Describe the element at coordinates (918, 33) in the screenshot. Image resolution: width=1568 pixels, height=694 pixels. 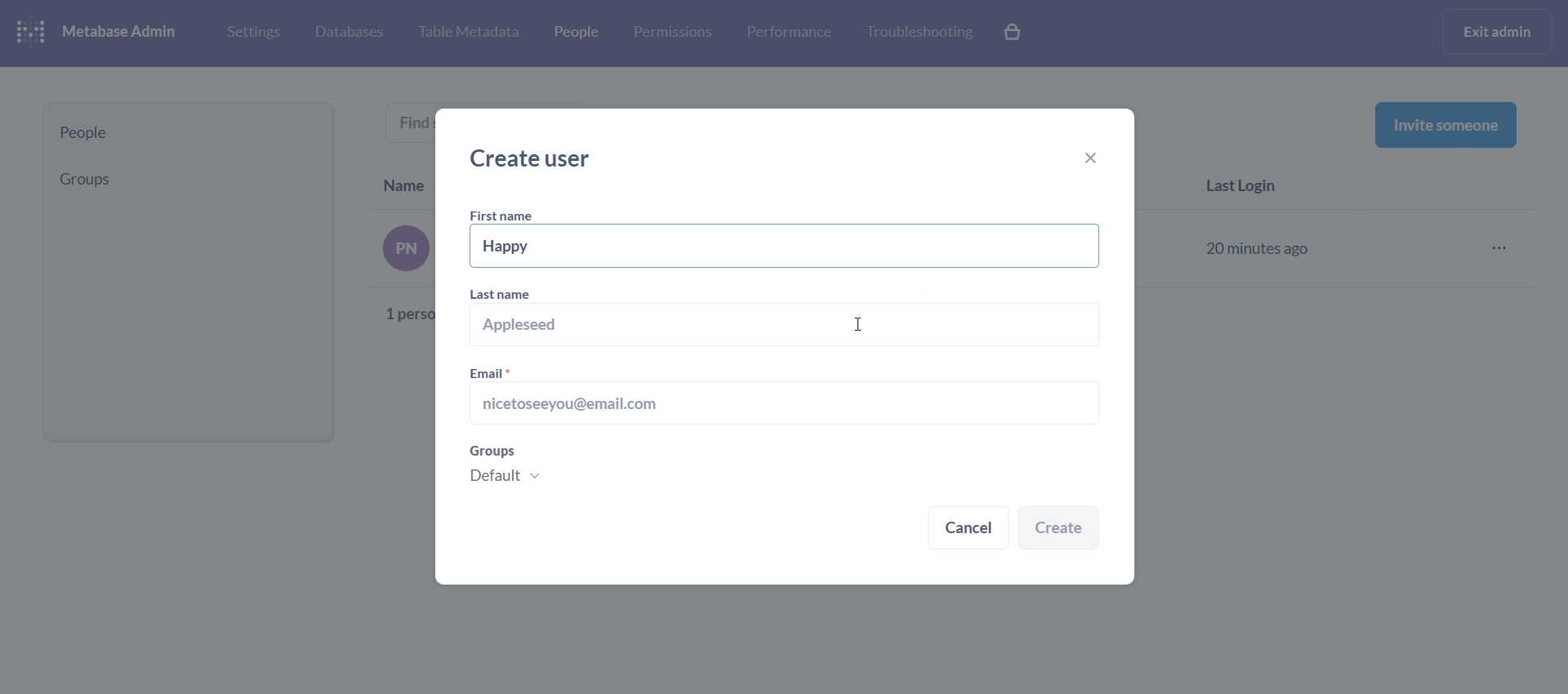
I see `troubleshooting` at that location.